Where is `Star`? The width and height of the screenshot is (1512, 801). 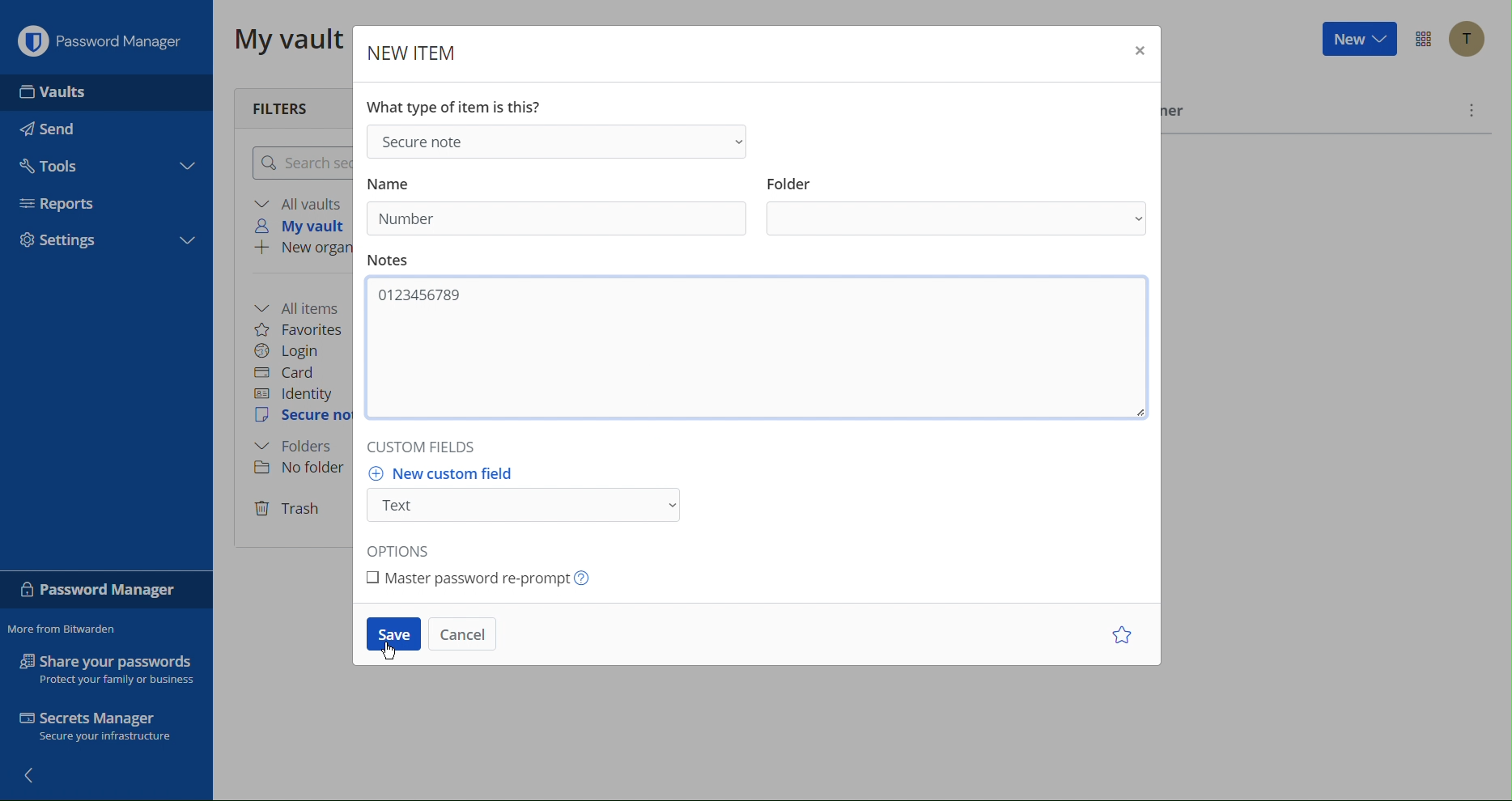 Star is located at coordinates (1119, 636).